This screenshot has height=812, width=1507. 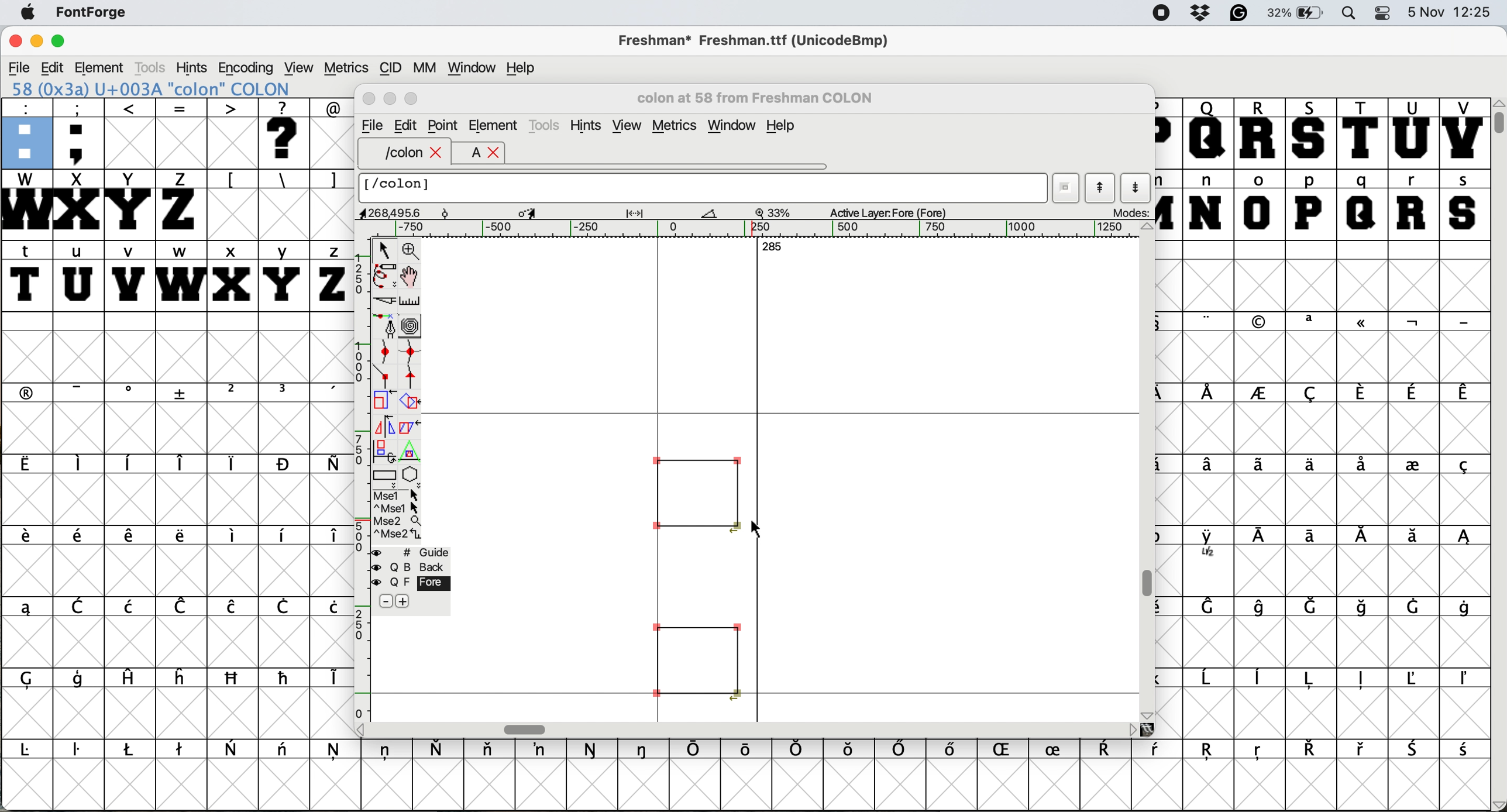 What do you see at coordinates (674, 125) in the screenshot?
I see `metrics` at bounding box center [674, 125].